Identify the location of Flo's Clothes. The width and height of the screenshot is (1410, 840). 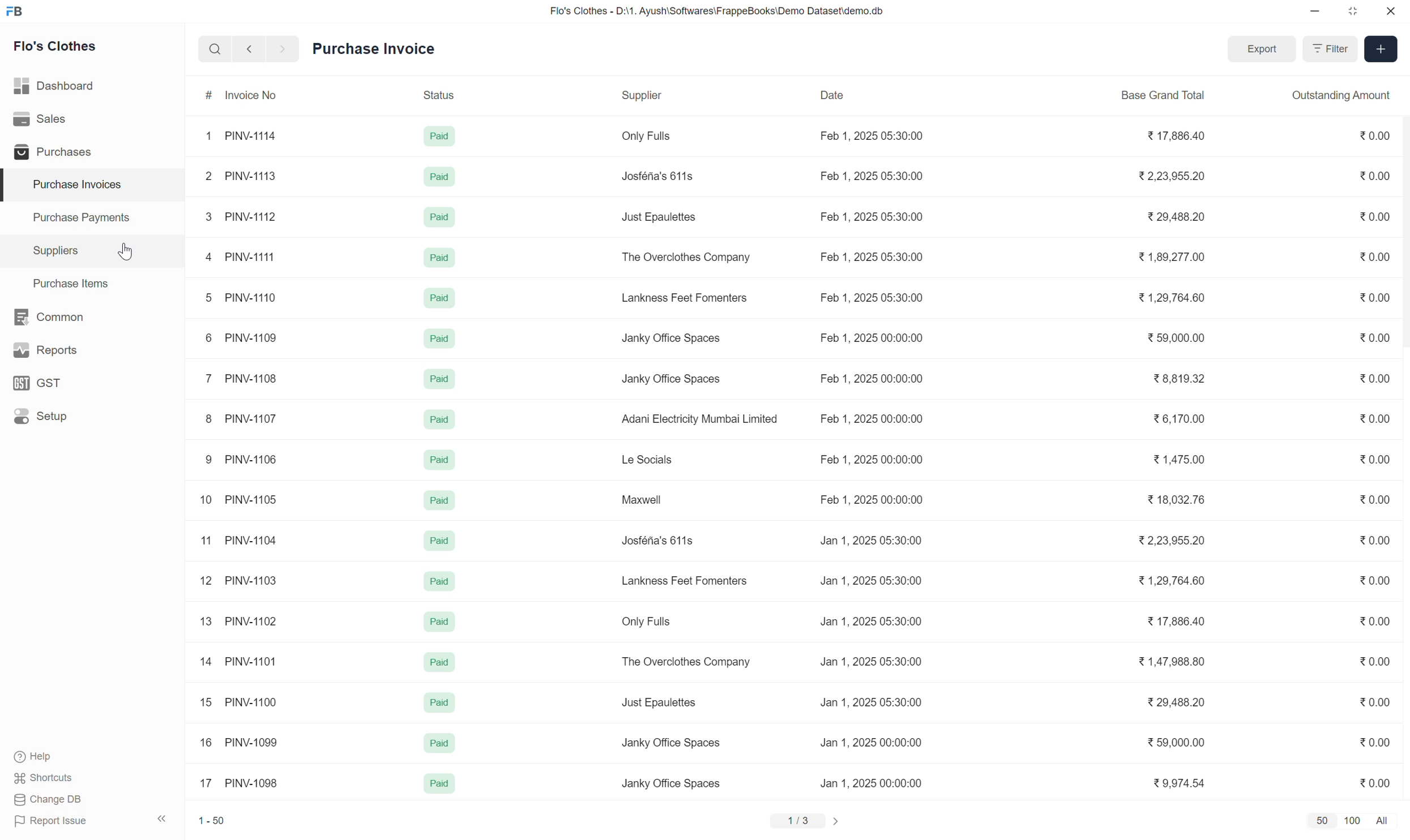
(55, 45).